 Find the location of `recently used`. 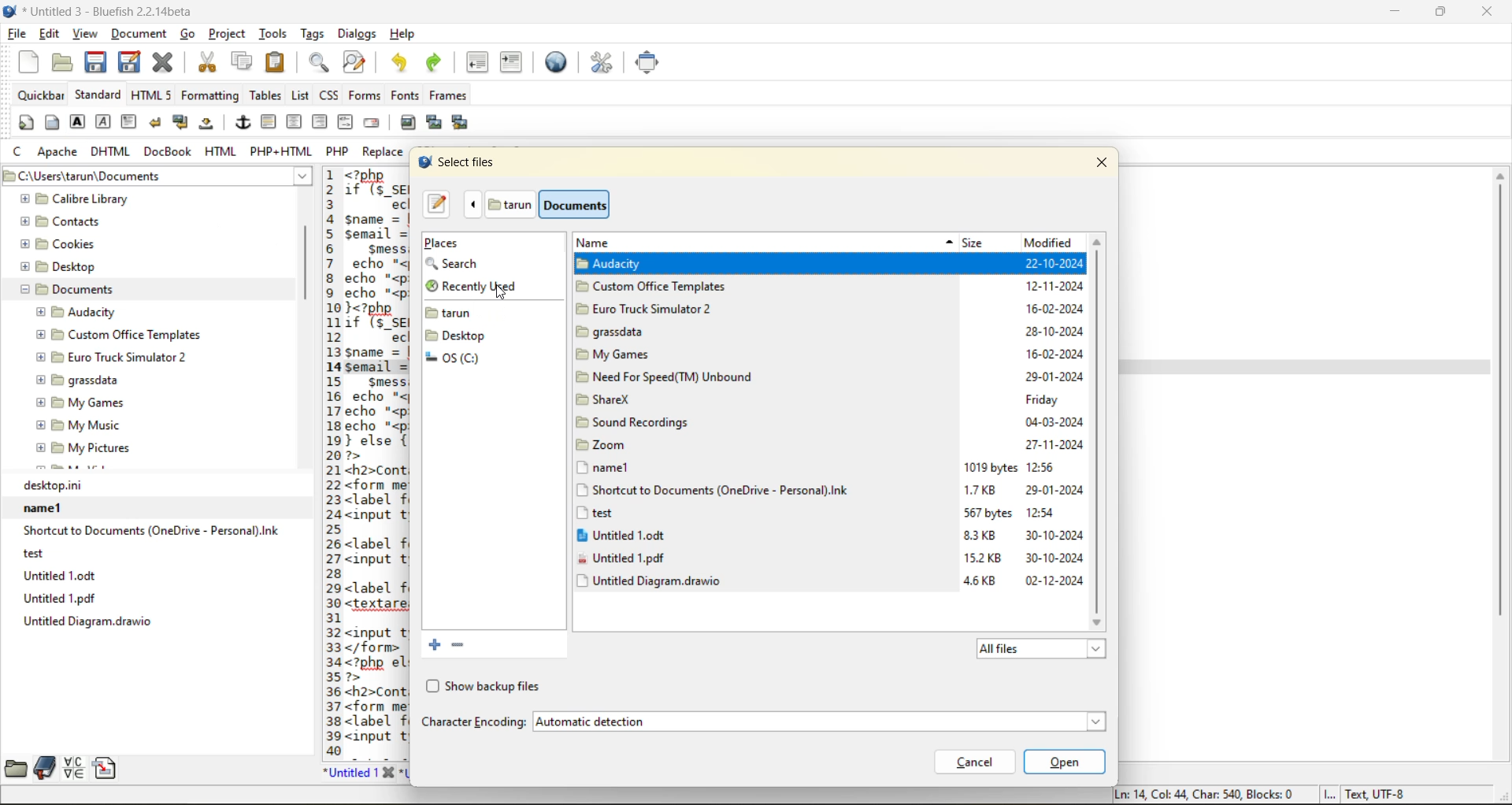

recently used is located at coordinates (475, 285).